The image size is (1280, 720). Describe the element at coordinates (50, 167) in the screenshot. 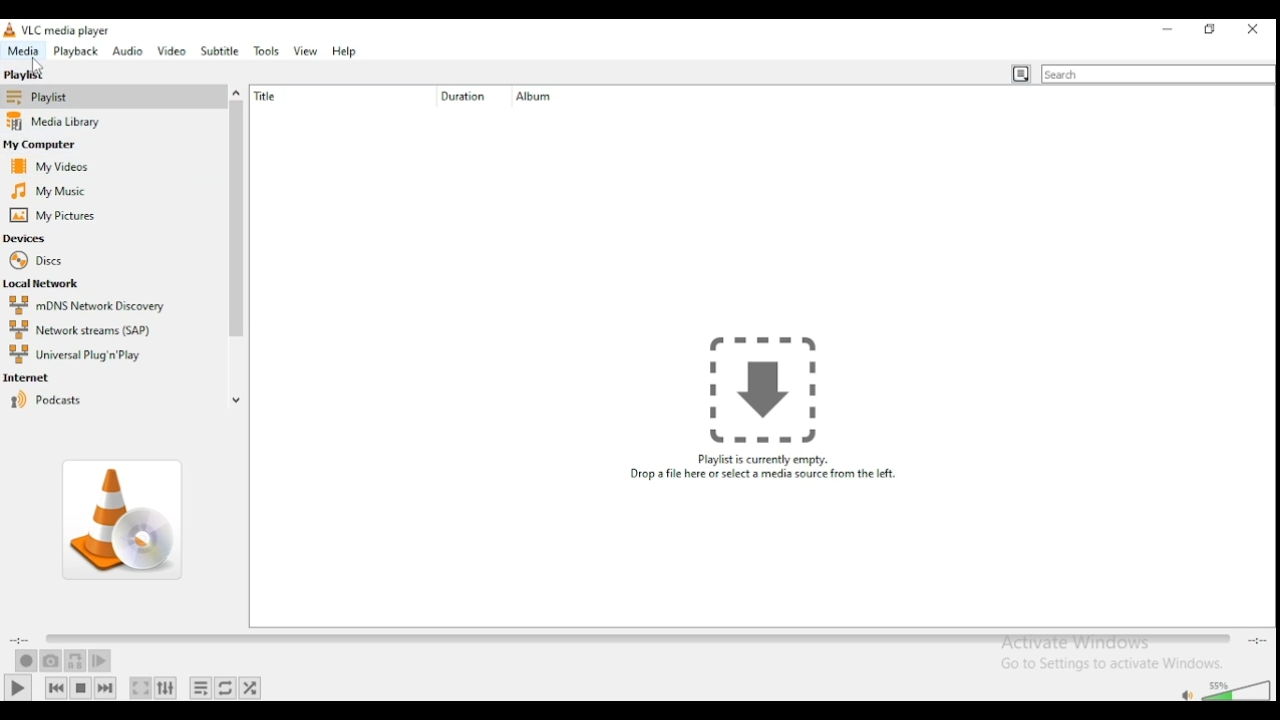

I see `my videos` at that location.